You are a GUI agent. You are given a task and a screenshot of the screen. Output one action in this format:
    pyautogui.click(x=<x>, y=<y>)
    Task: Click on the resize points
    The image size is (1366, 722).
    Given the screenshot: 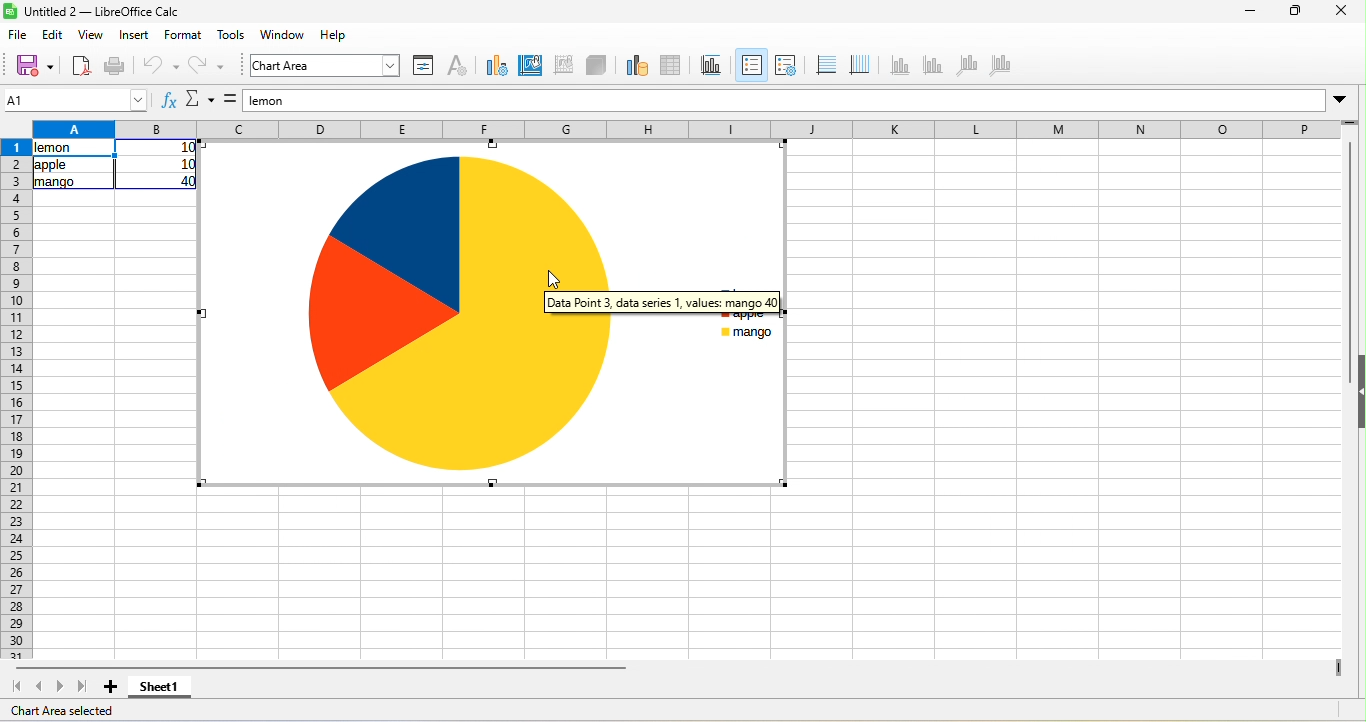 What is the action you would take?
    pyautogui.click(x=490, y=144)
    